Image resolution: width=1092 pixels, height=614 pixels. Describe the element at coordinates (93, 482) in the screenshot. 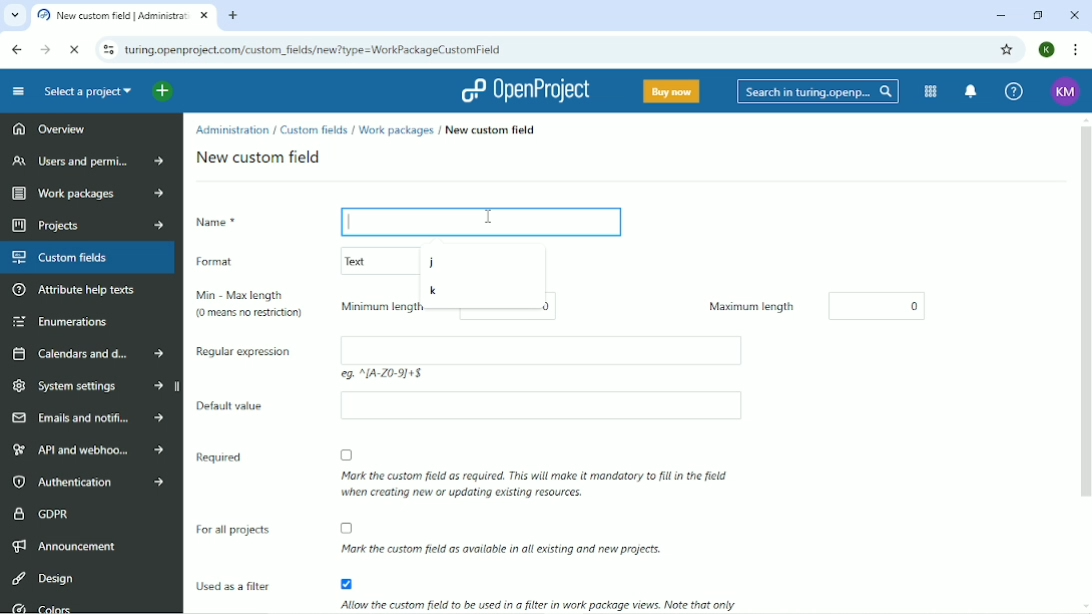

I see `Authentication` at that location.